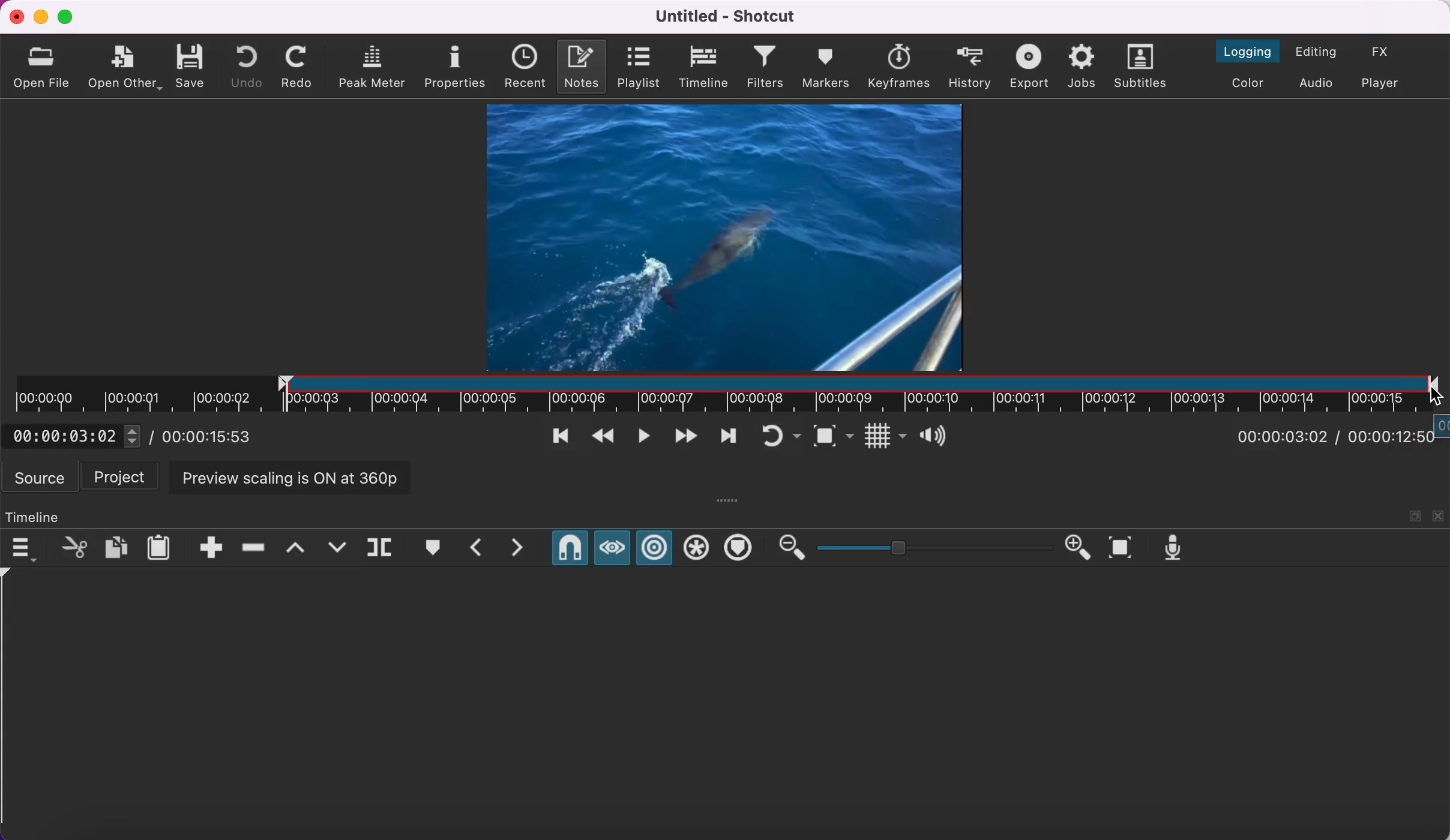 This screenshot has width=1450, height=840. Describe the element at coordinates (901, 65) in the screenshot. I see `keyframes` at that location.